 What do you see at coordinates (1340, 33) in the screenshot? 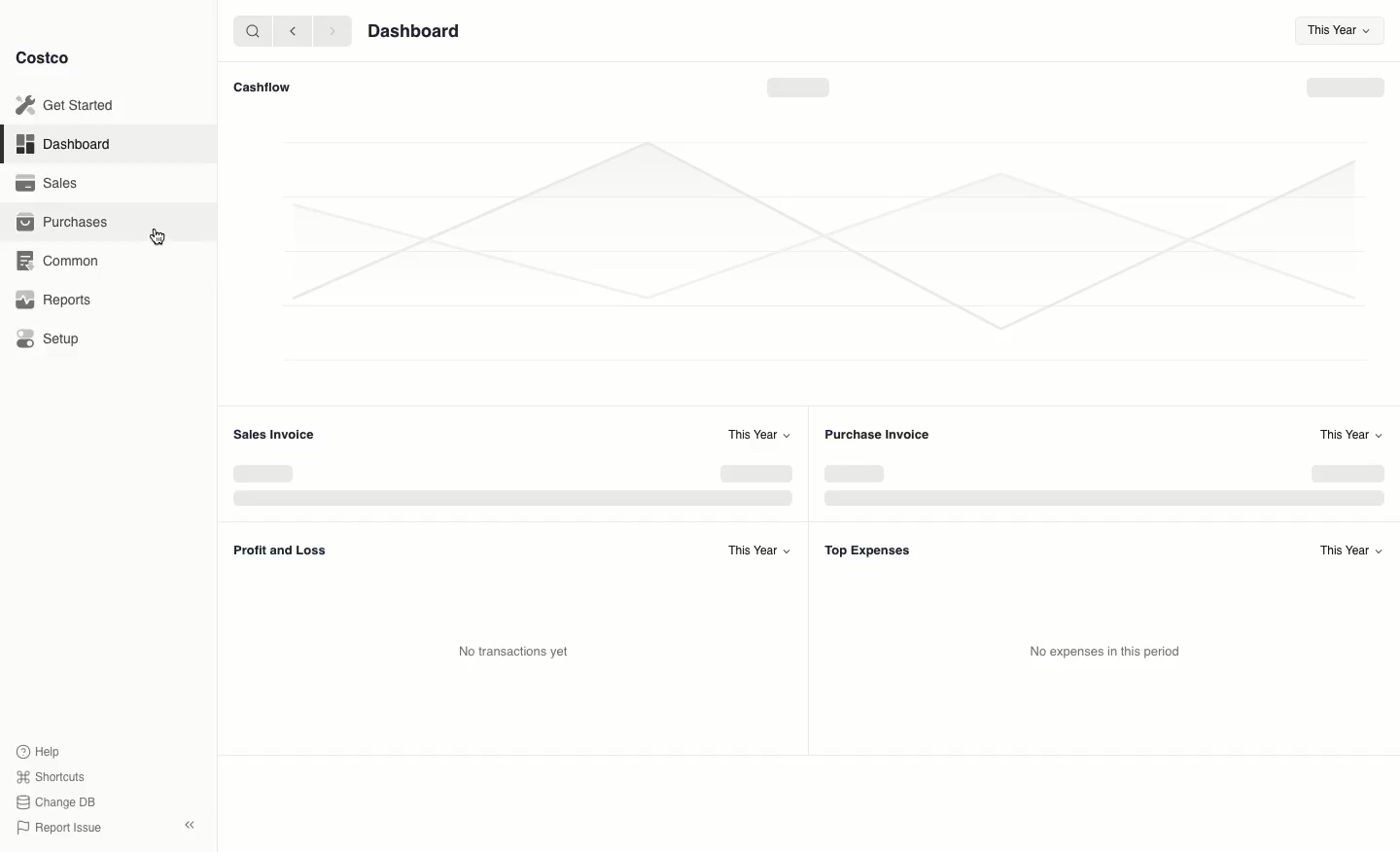
I see `This Year` at bounding box center [1340, 33].